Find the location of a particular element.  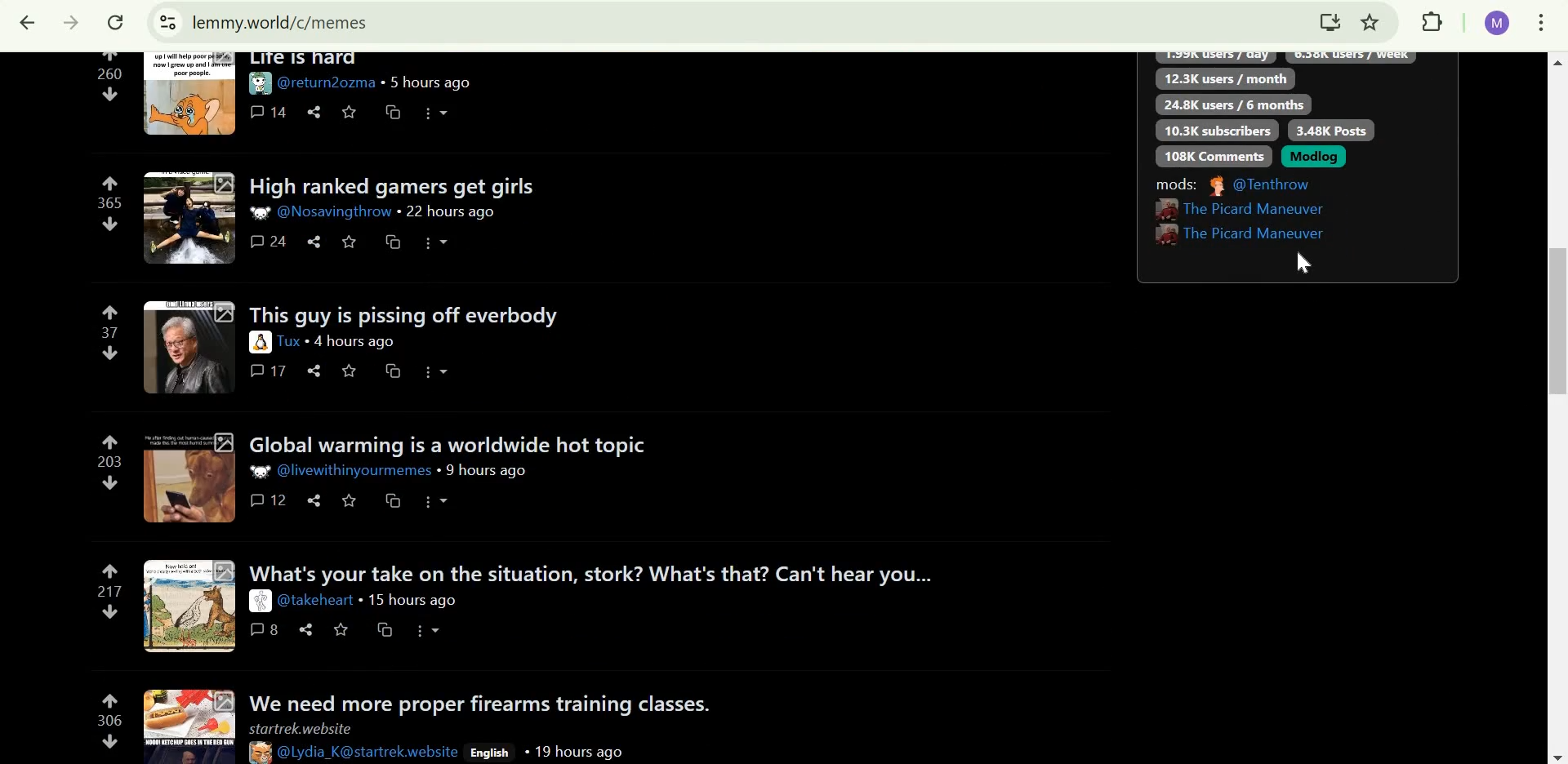

user id is located at coordinates (316, 601).